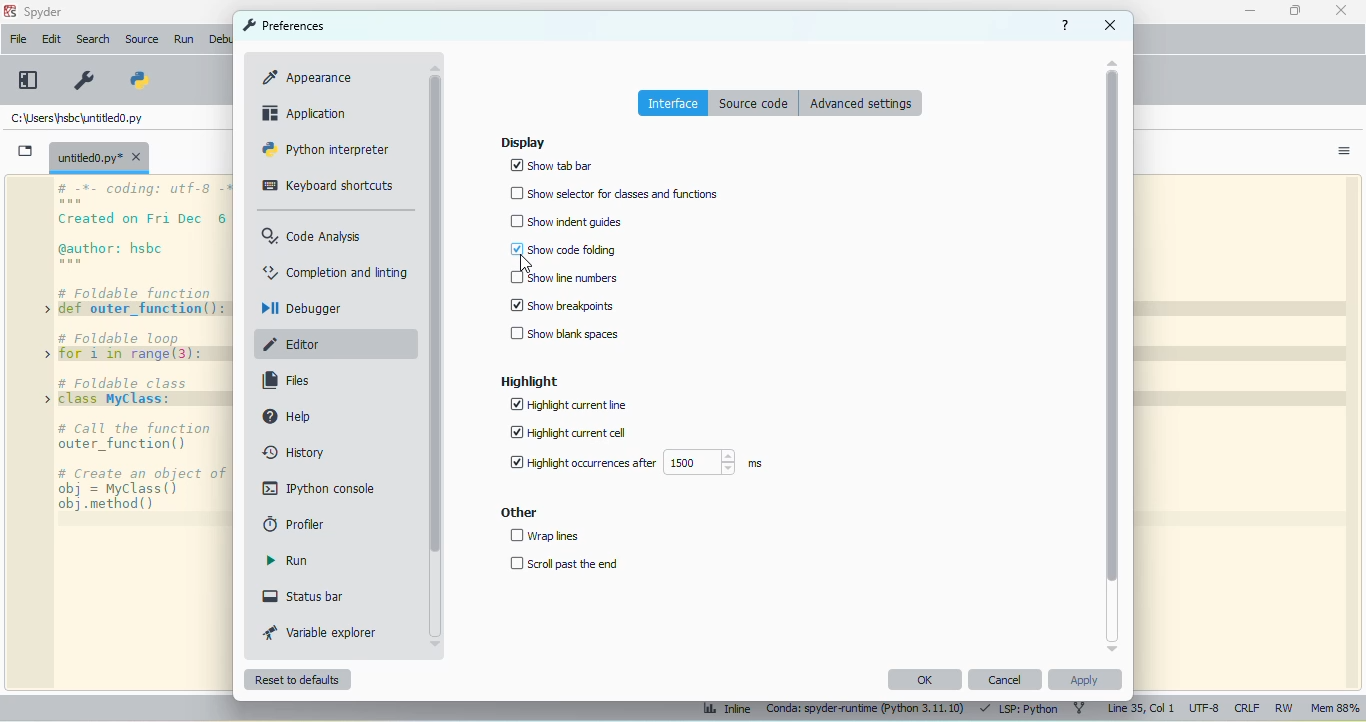 The image size is (1366, 722). I want to click on application, so click(307, 113).